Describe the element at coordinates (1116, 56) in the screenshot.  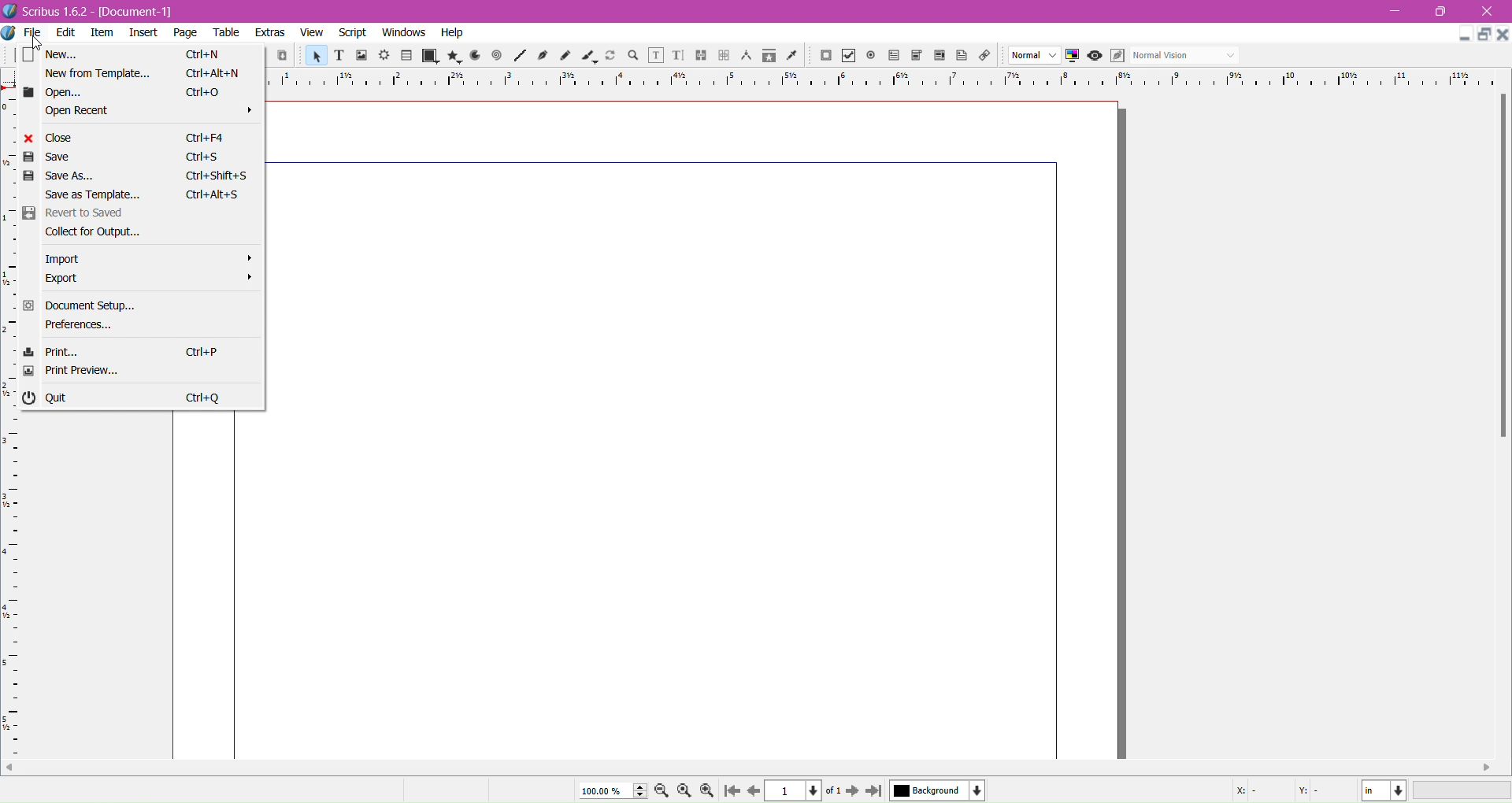
I see `Edit in Preview mode` at that location.